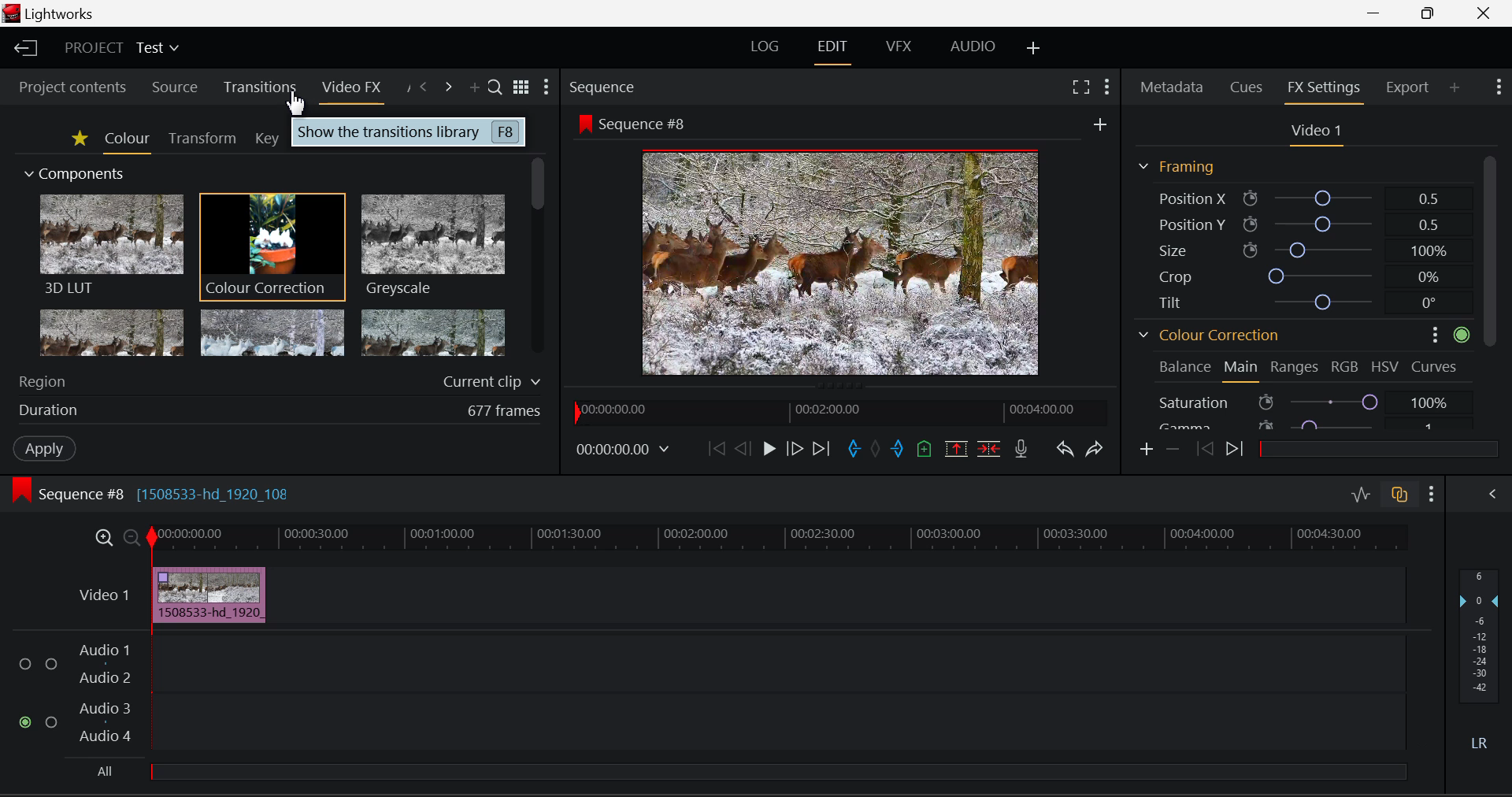 This screenshot has height=797, width=1512. I want to click on Saturation 100%, so click(1313, 398).